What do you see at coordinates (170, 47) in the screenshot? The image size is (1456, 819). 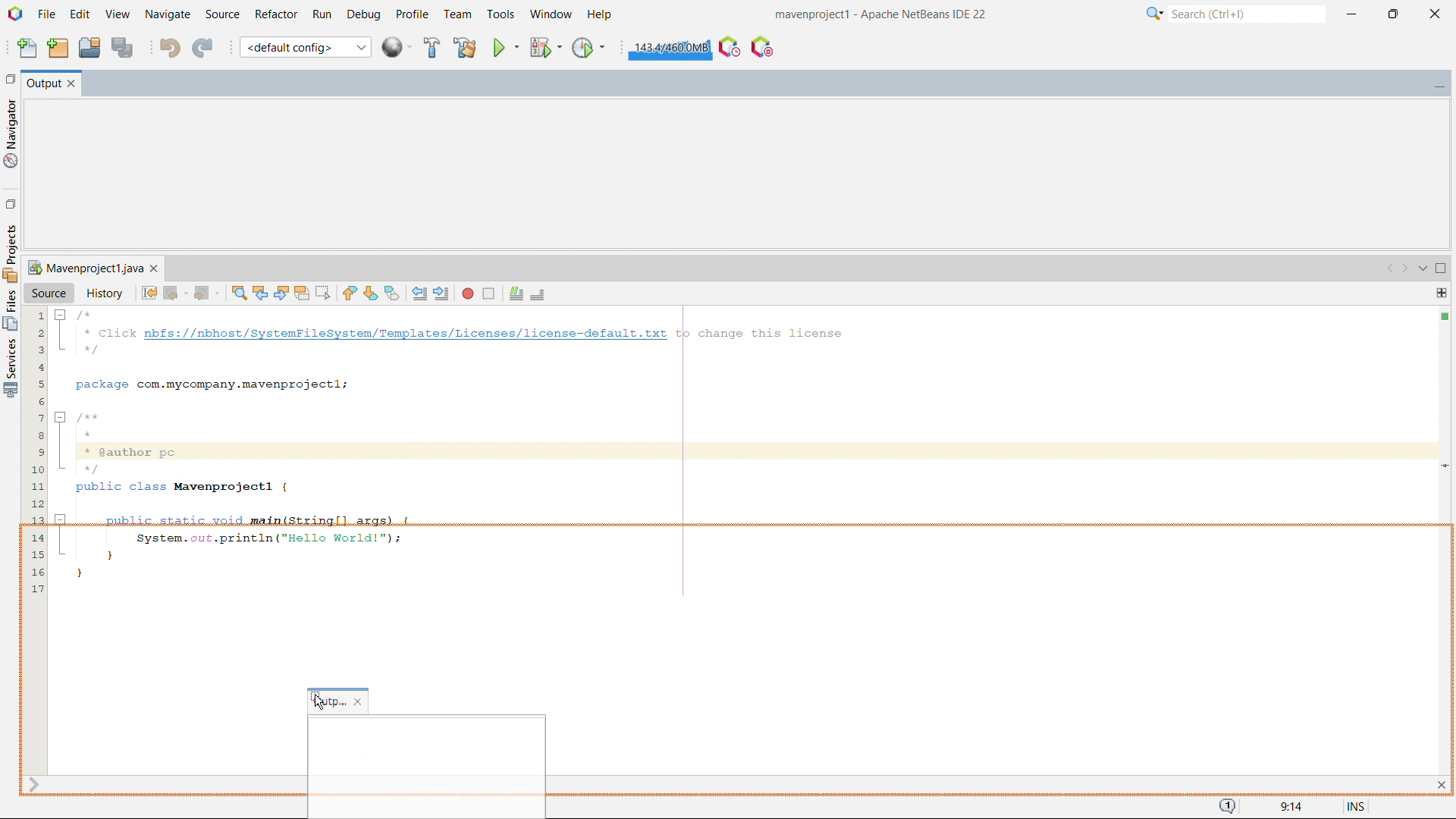 I see `undo` at bounding box center [170, 47].